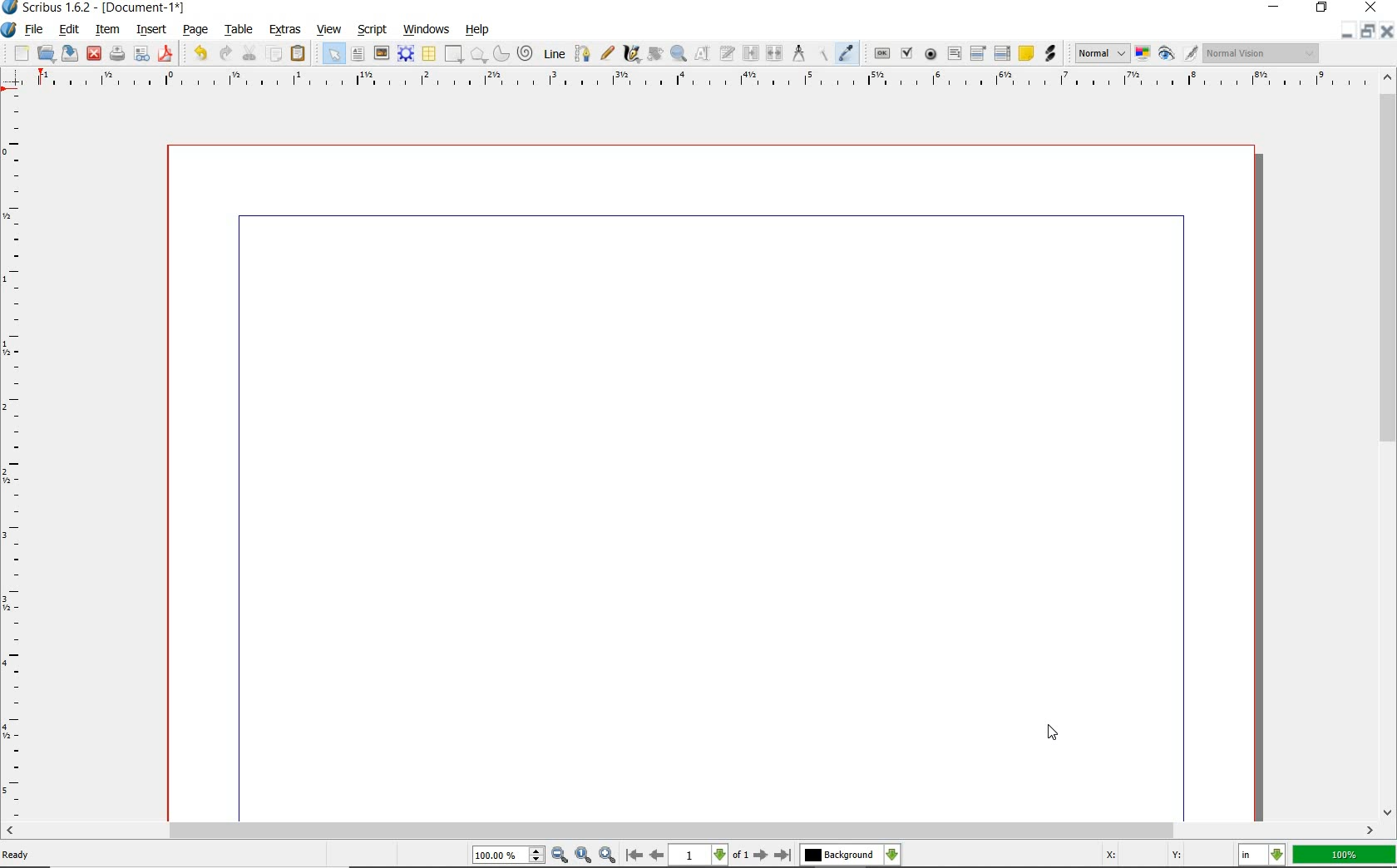 Image resolution: width=1397 pixels, height=868 pixels. Describe the element at coordinates (9, 31) in the screenshot. I see `system logo` at that location.